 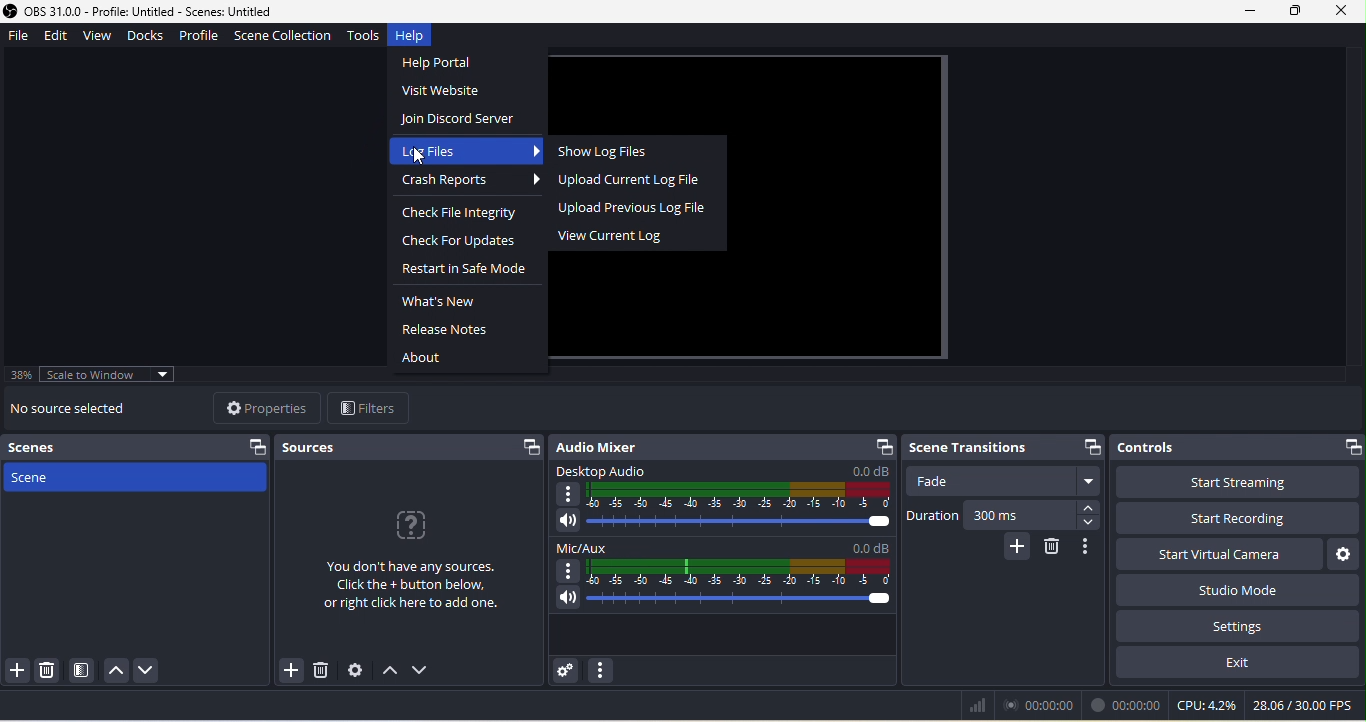 I want to click on docks, so click(x=152, y=37).